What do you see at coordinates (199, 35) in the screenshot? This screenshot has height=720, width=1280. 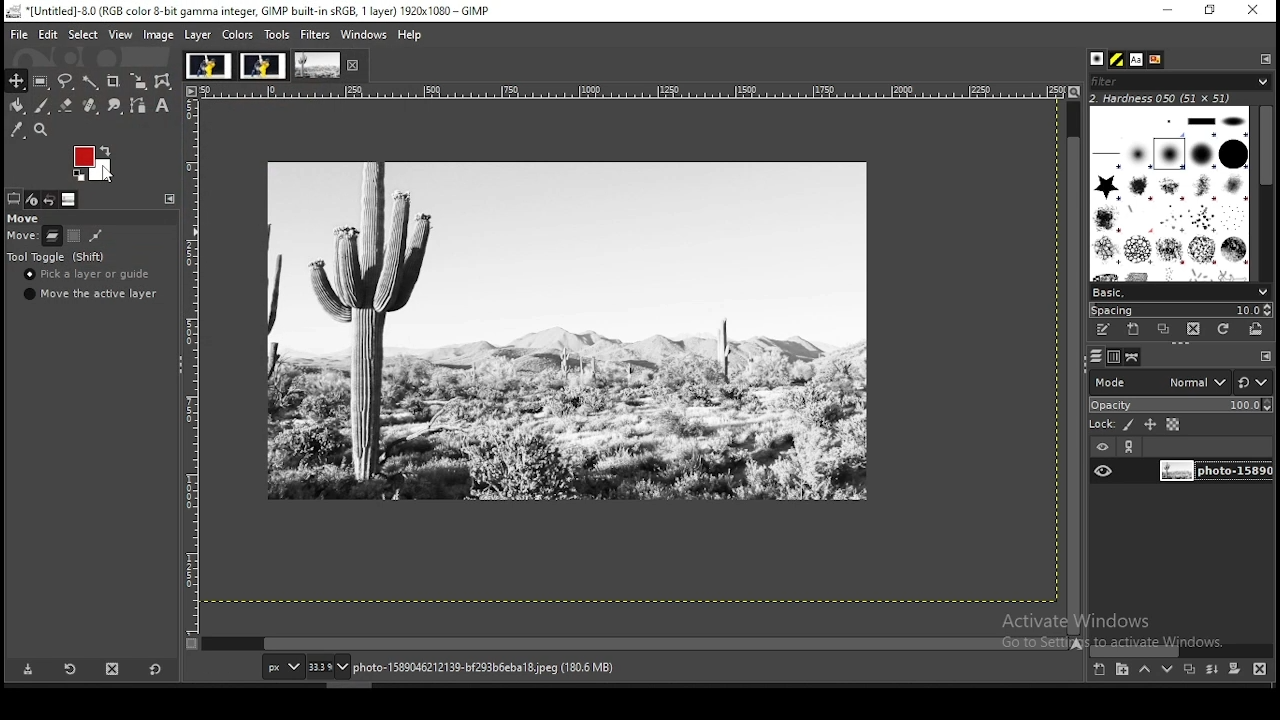 I see `layer` at bounding box center [199, 35].